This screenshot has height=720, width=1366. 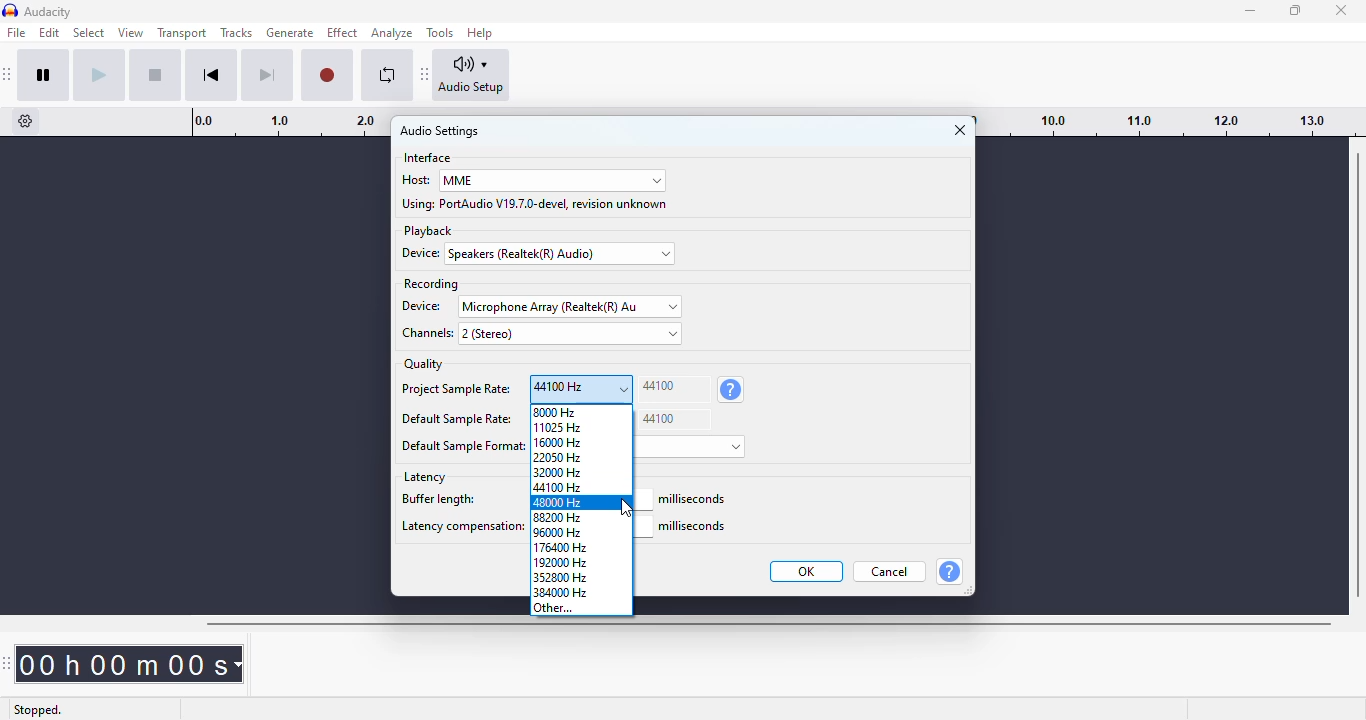 I want to click on stop, so click(x=155, y=75).